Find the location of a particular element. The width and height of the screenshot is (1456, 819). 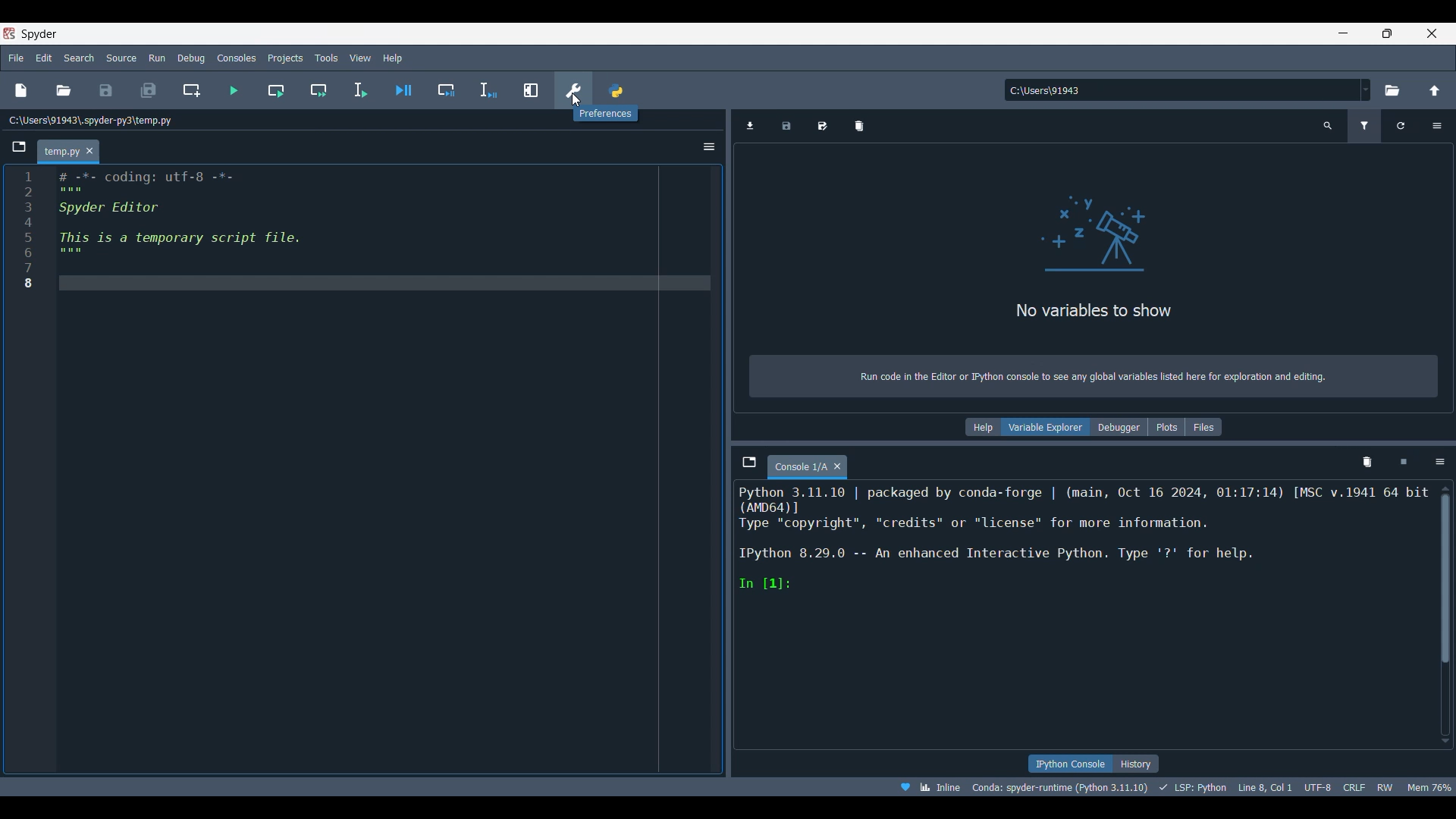

Files is located at coordinates (1203, 427).